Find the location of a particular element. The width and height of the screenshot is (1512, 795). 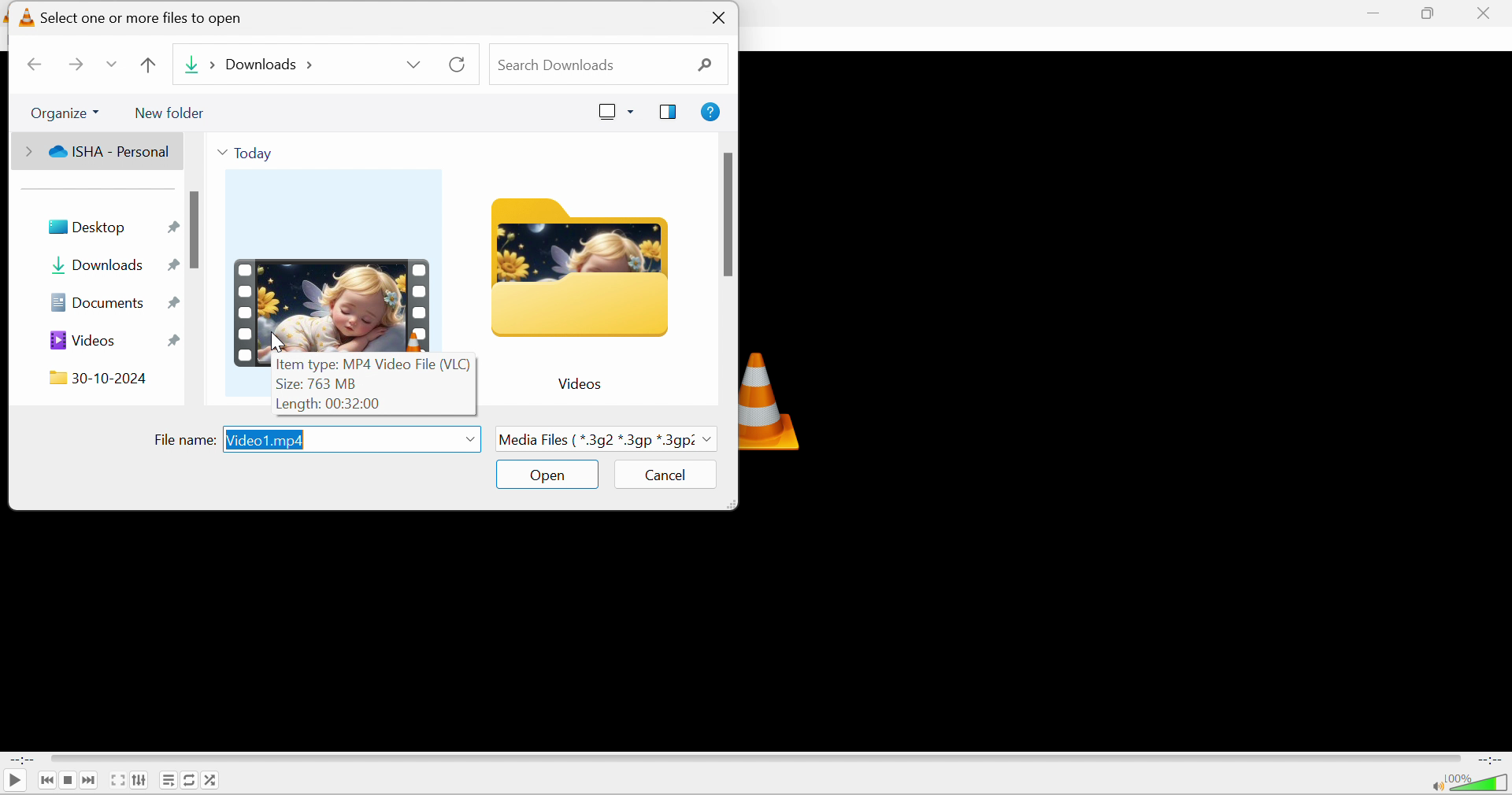

minimize is located at coordinates (1370, 10).